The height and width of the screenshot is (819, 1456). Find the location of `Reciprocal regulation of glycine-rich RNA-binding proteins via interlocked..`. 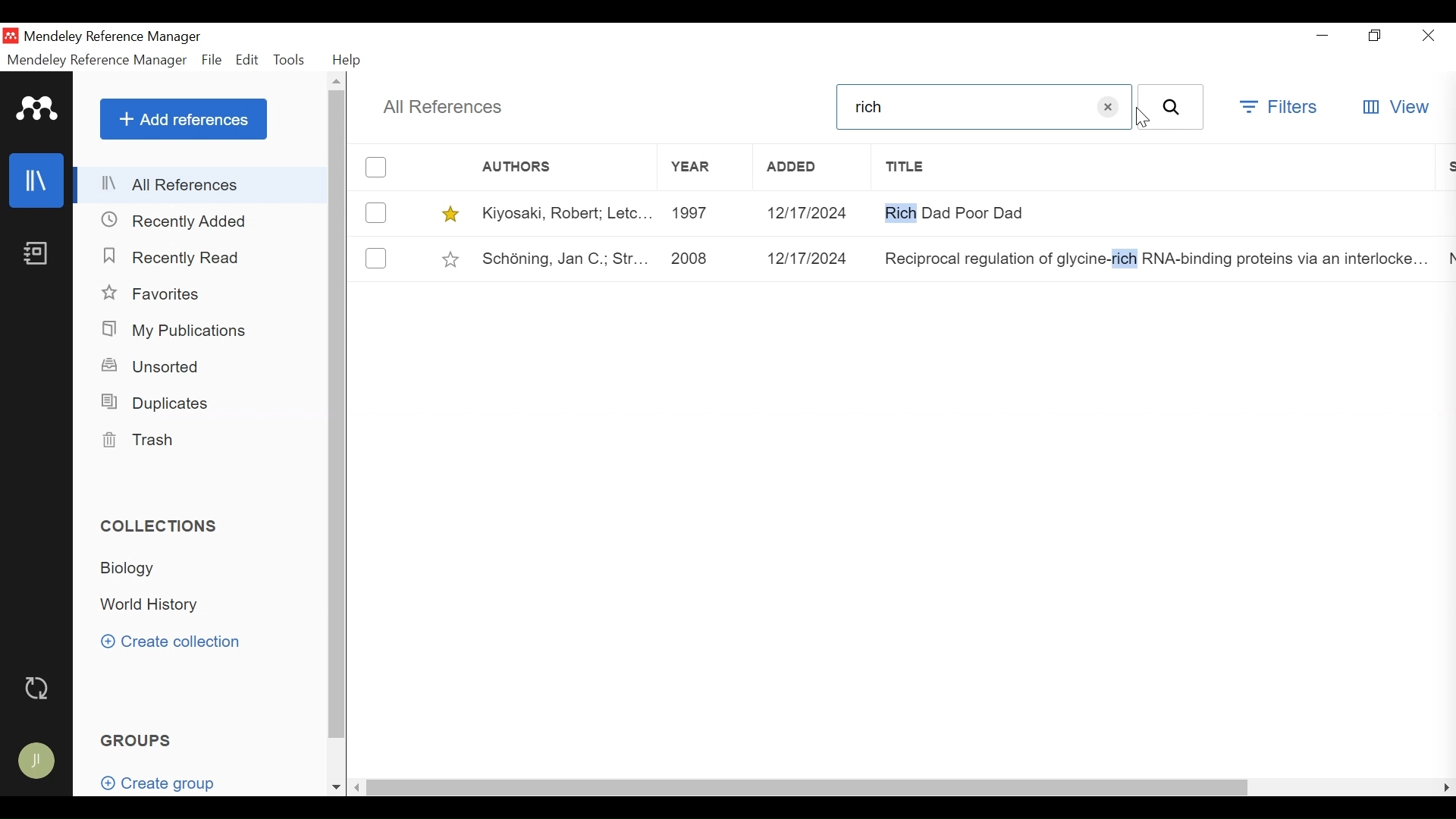

Reciprocal regulation of glycine-rich RNA-binding proteins via interlocked.. is located at coordinates (1156, 256).